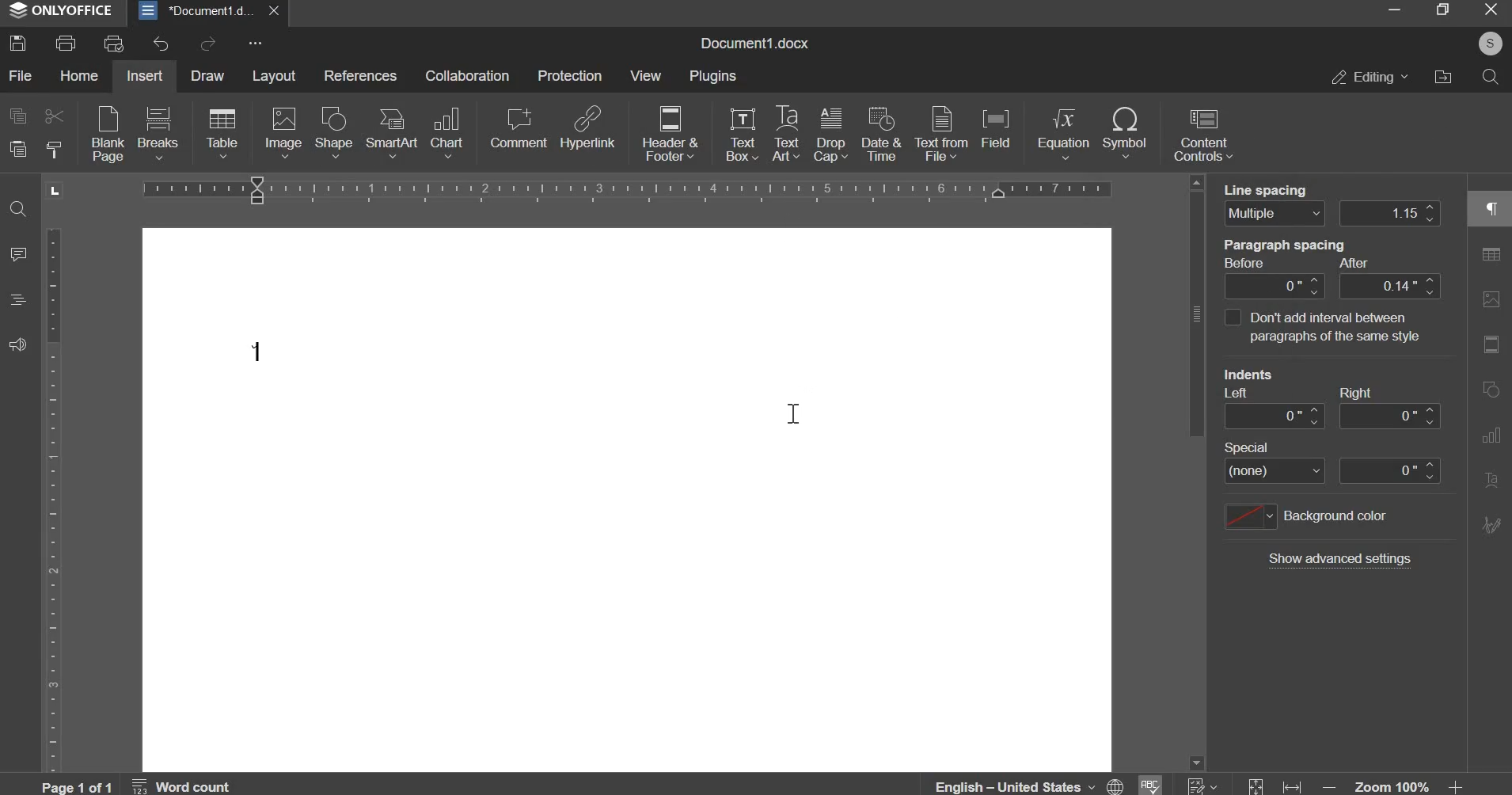  What do you see at coordinates (1275, 285) in the screenshot?
I see `paragraph spacing after` at bounding box center [1275, 285].